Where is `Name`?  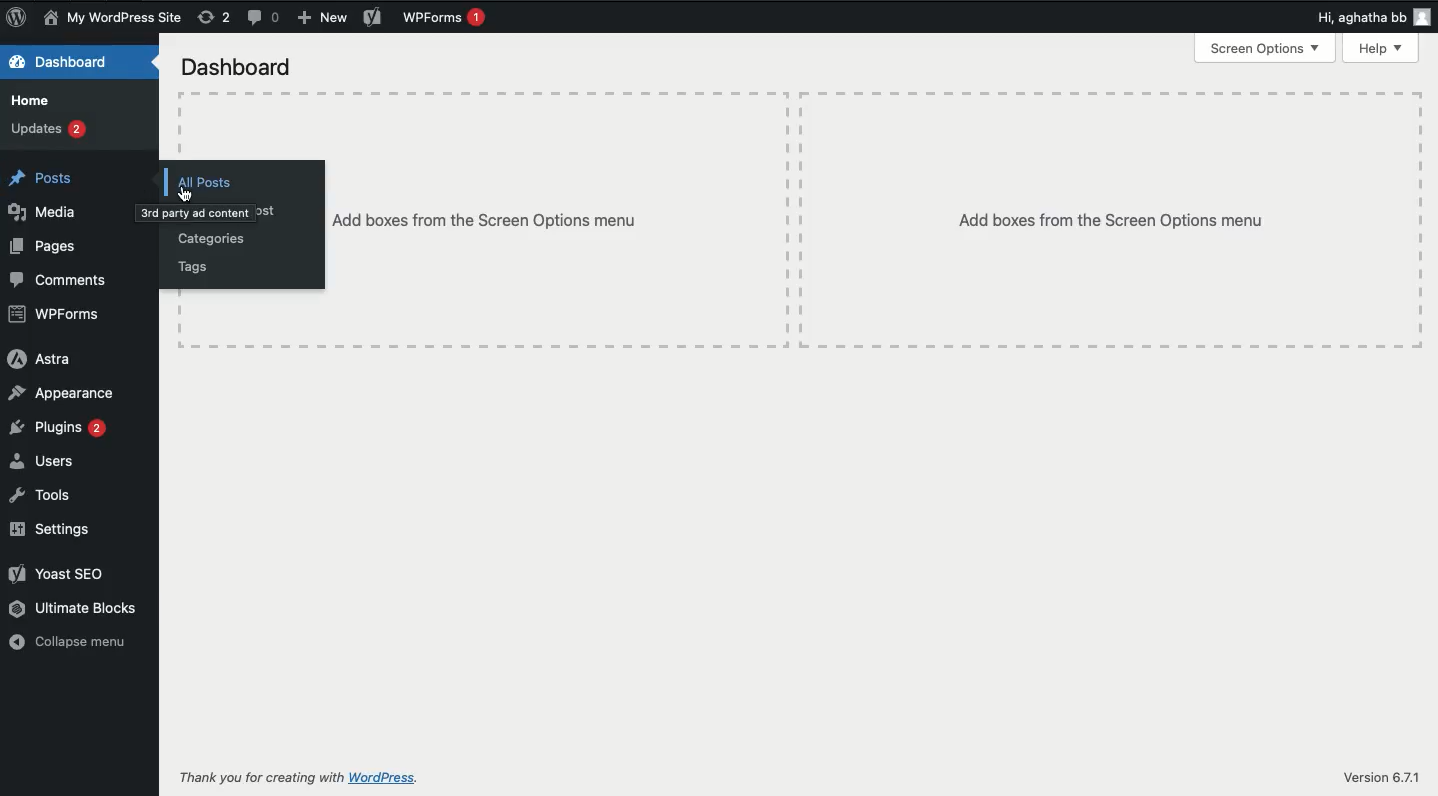
Name is located at coordinates (111, 18).